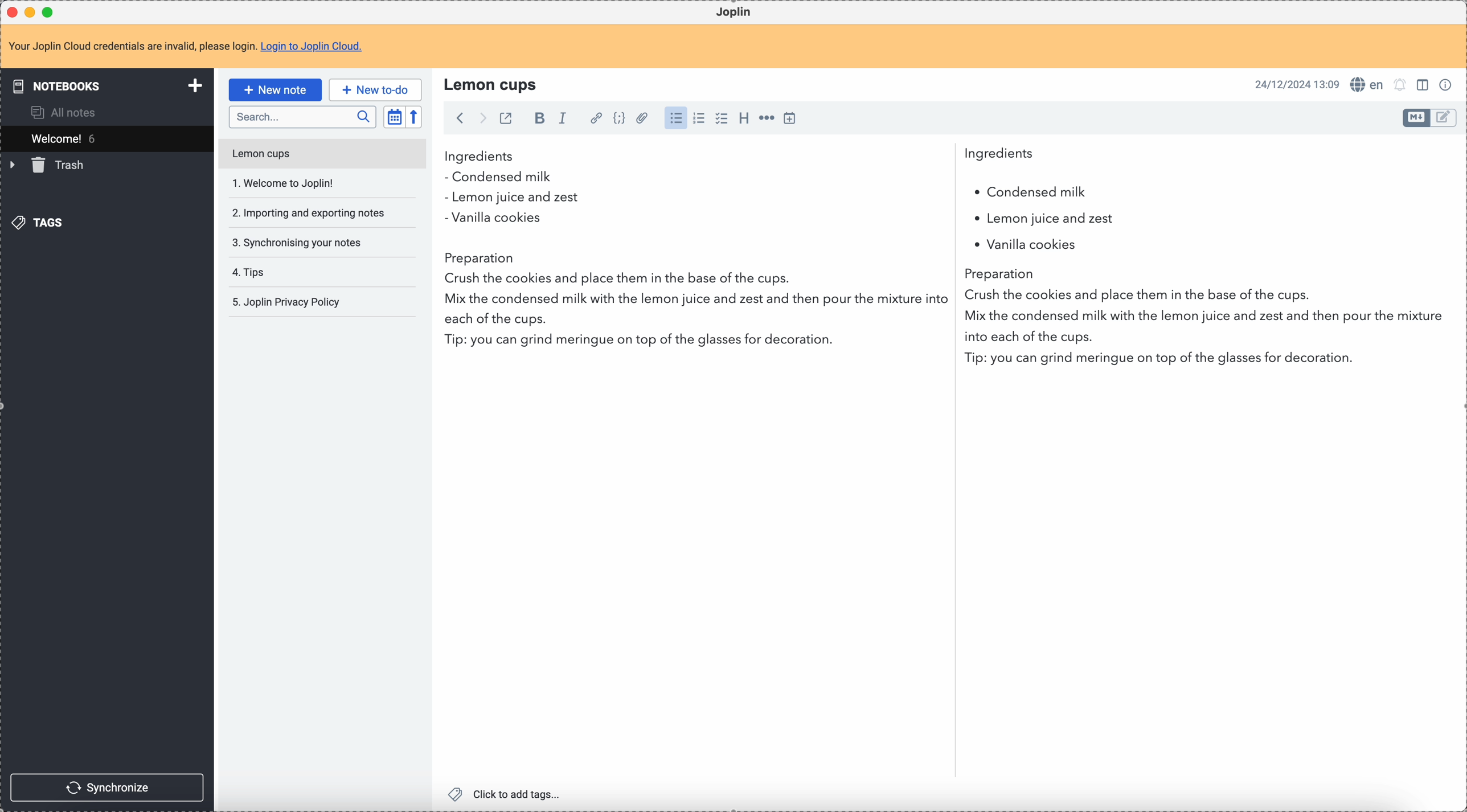 This screenshot has height=812, width=1467. I want to click on importing and exporting your notes, so click(310, 213).